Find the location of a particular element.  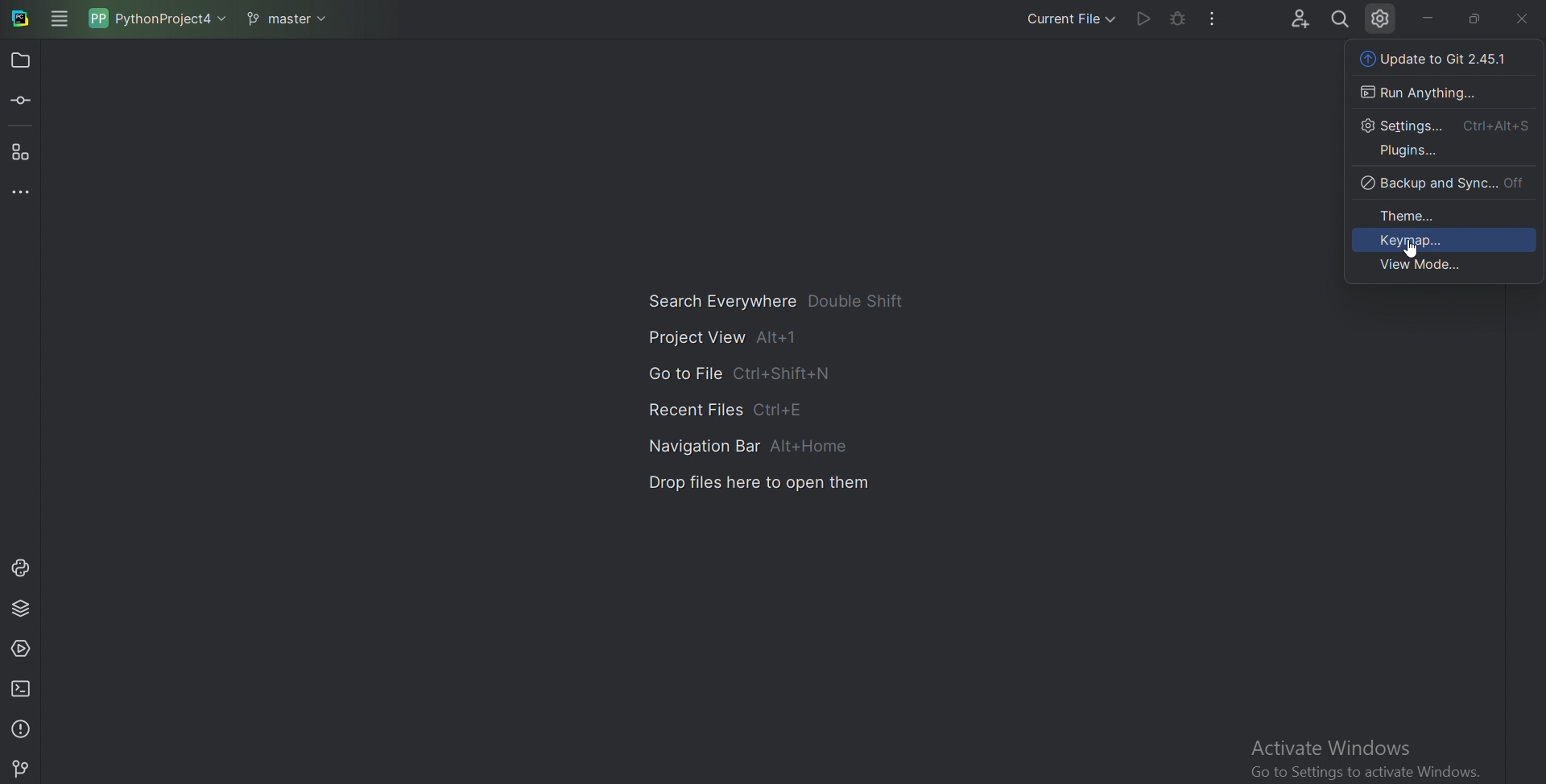

master is located at coordinates (286, 18).